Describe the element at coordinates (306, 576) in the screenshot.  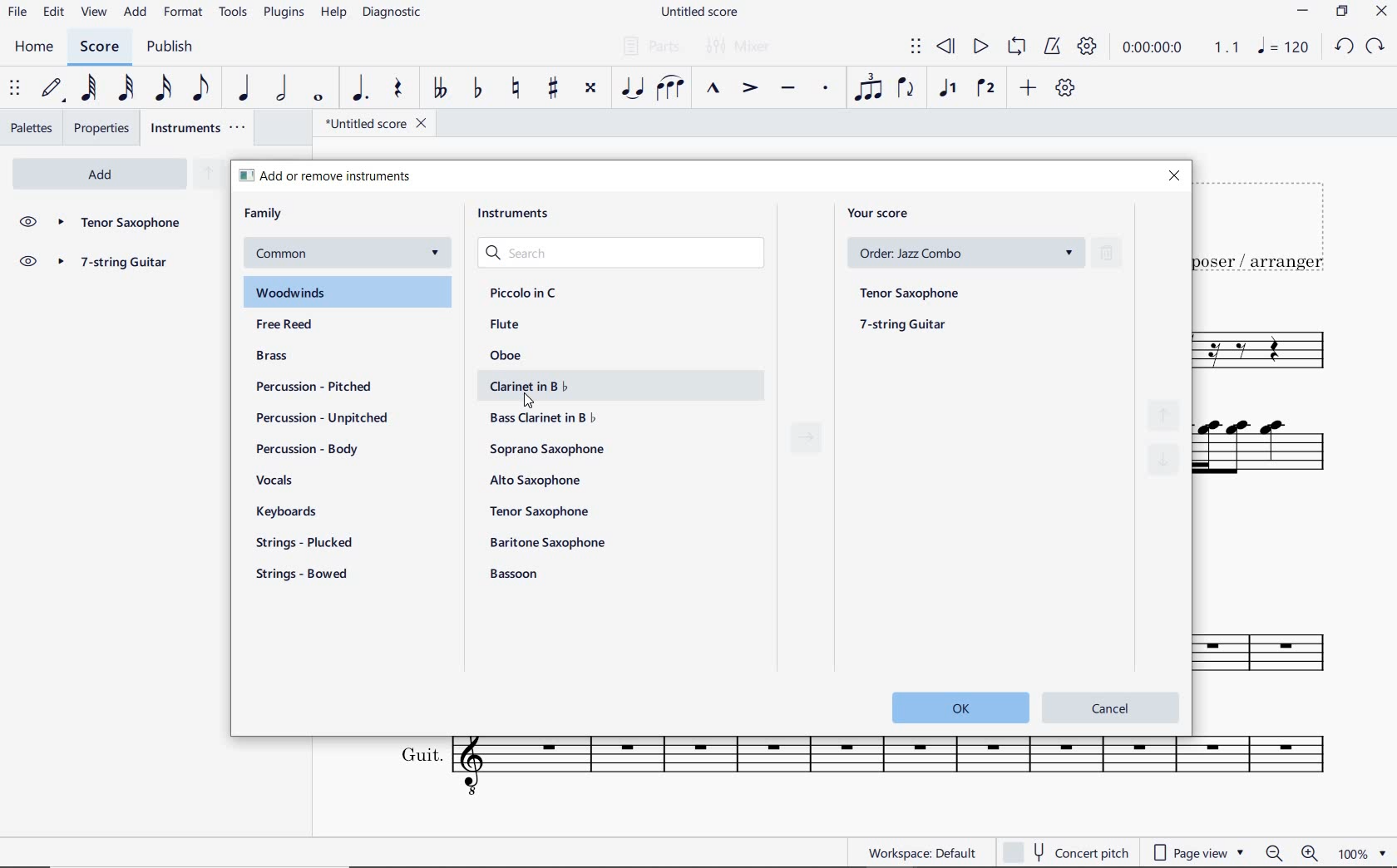
I see `strings - bowed` at that location.